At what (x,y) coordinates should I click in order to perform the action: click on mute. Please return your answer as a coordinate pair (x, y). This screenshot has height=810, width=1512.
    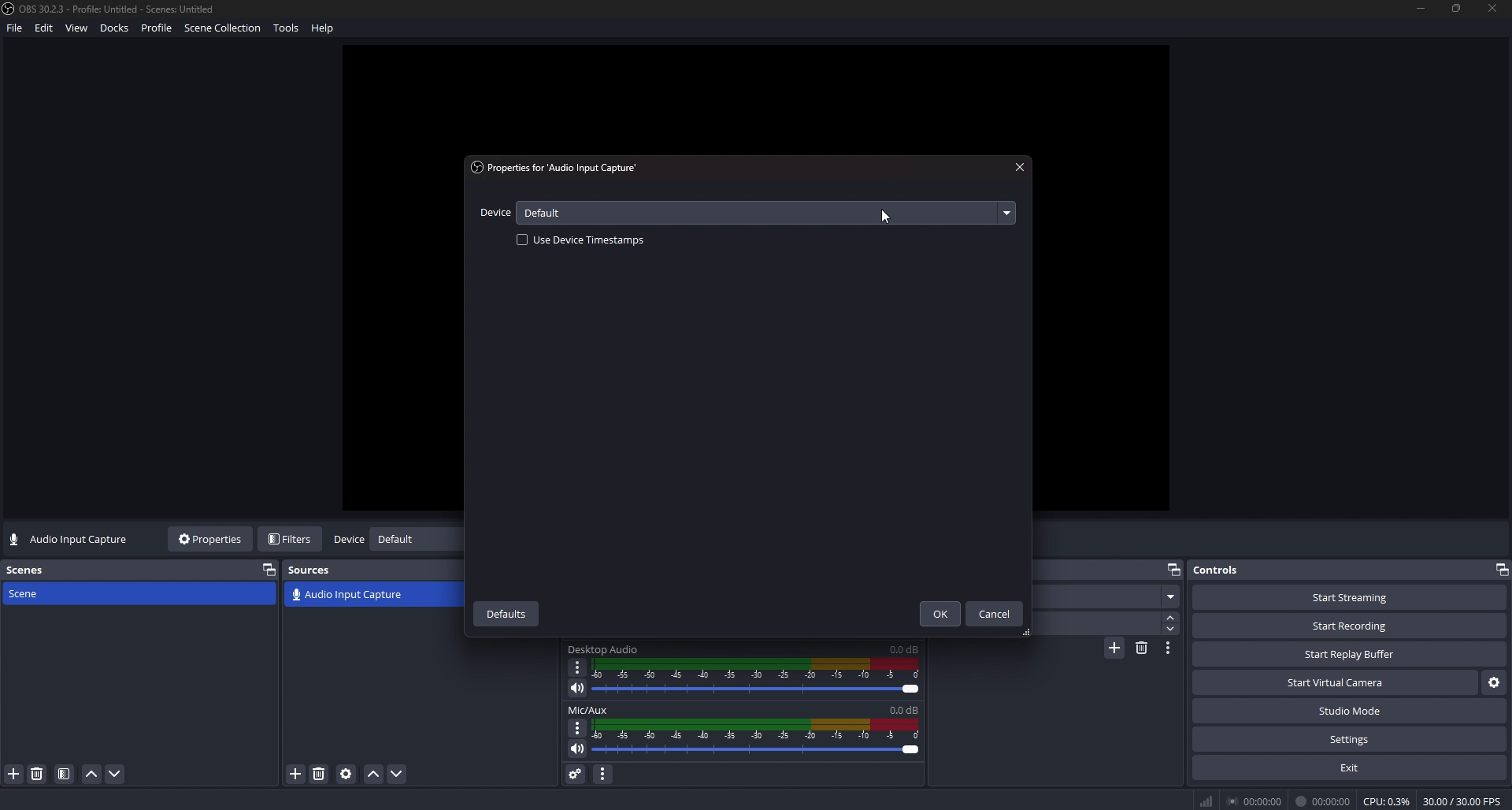
    Looking at the image, I should click on (577, 688).